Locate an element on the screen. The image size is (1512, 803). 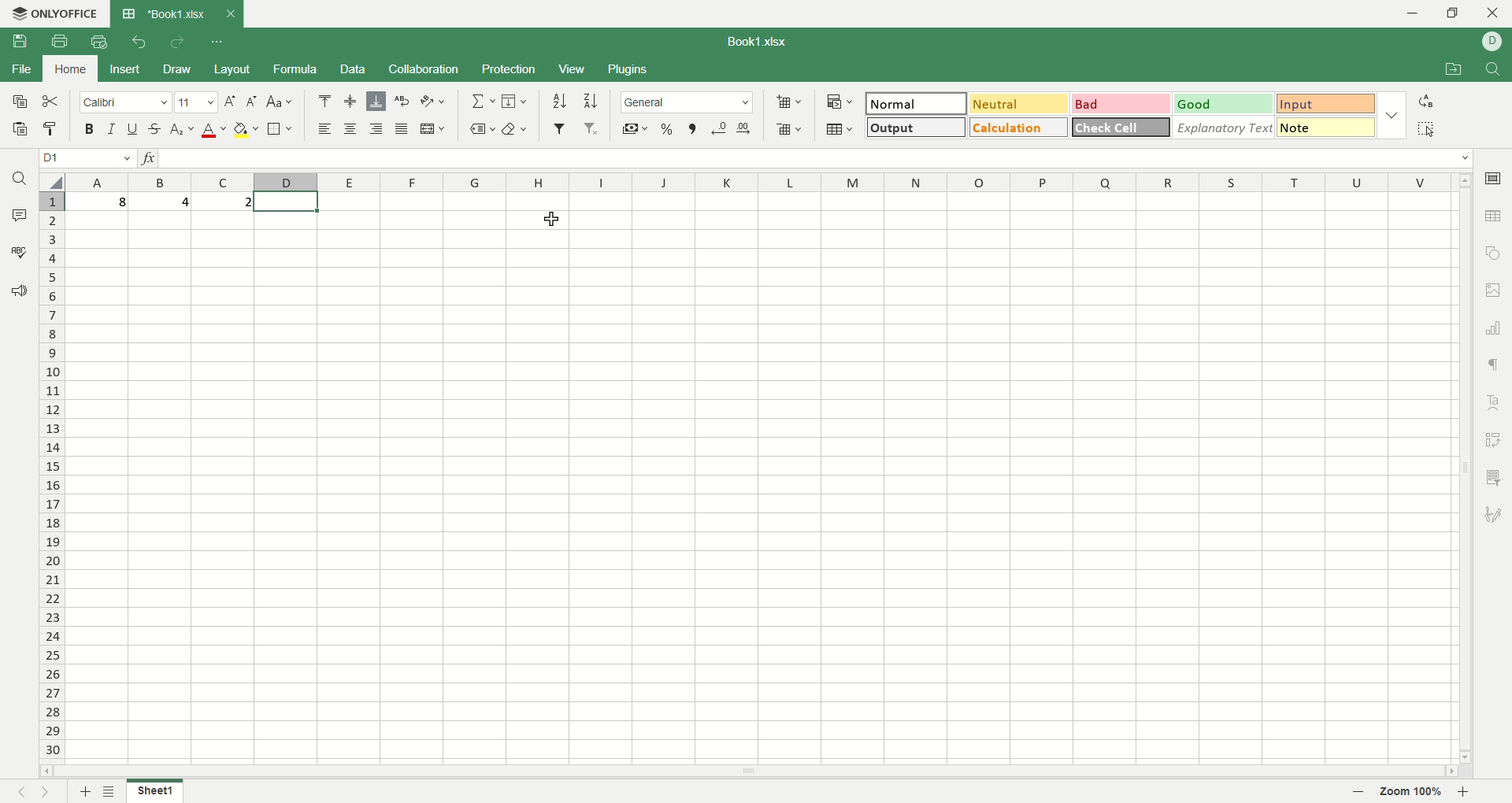
font name is located at coordinates (126, 102).